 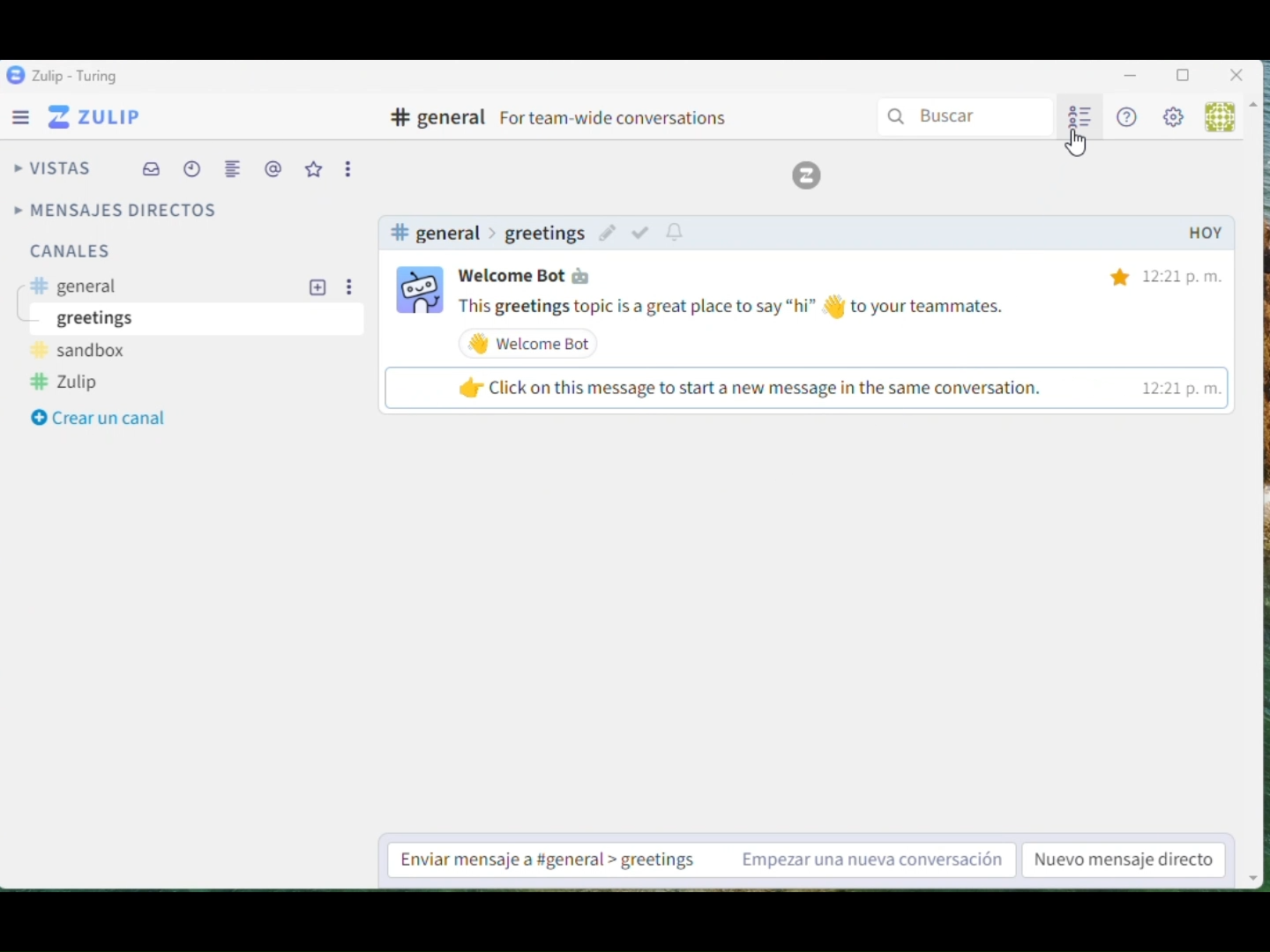 I want to click on add, so click(x=318, y=287).